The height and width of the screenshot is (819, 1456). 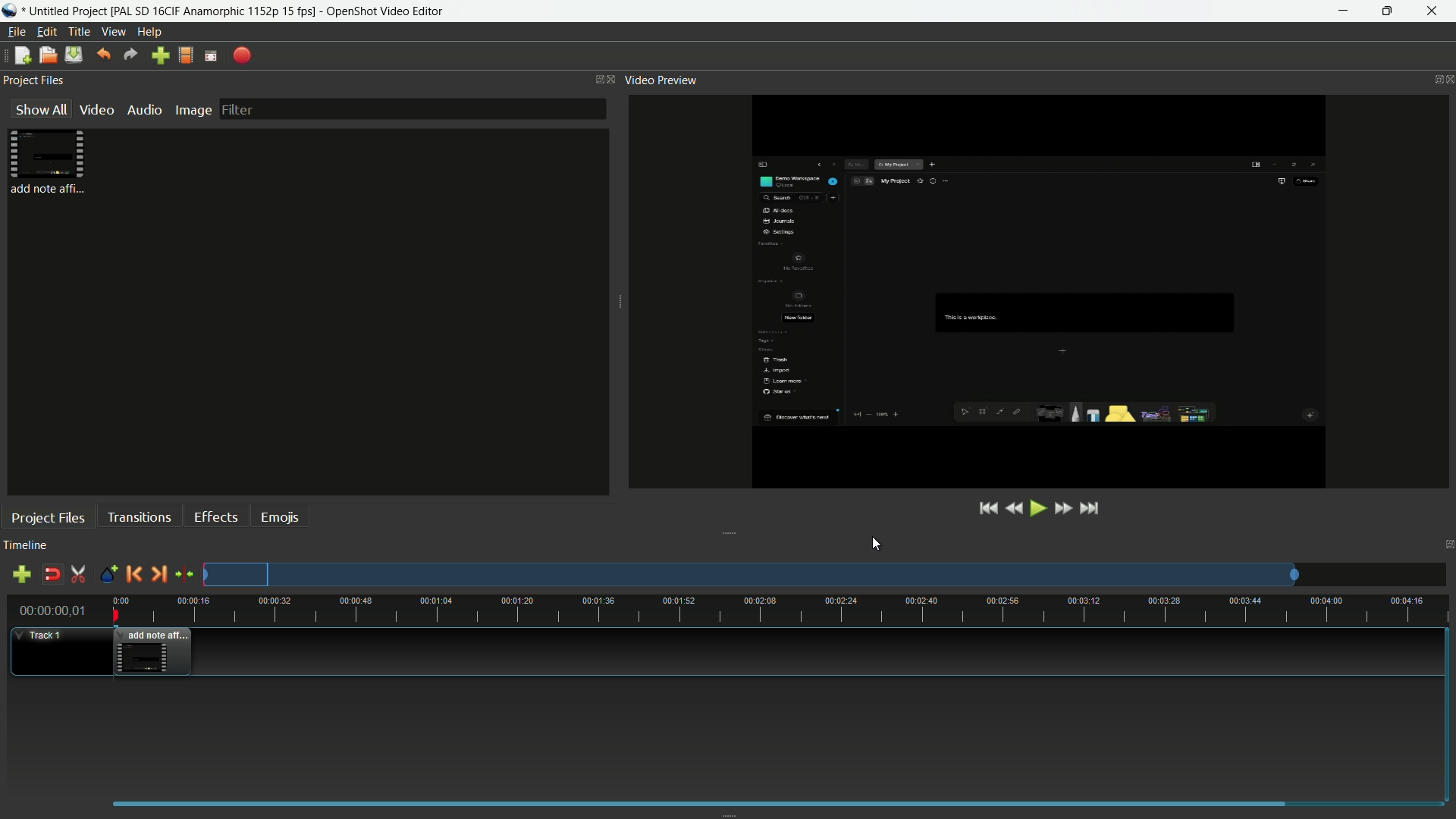 I want to click on create marker, so click(x=107, y=576).